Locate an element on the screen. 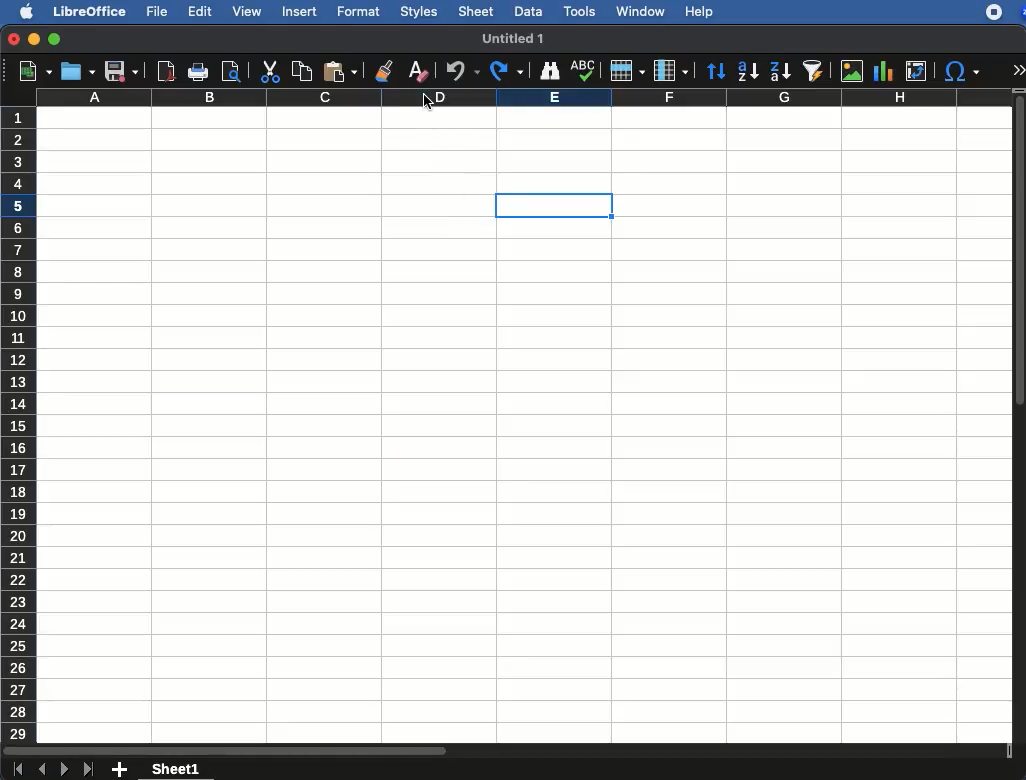 The image size is (1026, 780). undo is located at coordinates (459, 72).